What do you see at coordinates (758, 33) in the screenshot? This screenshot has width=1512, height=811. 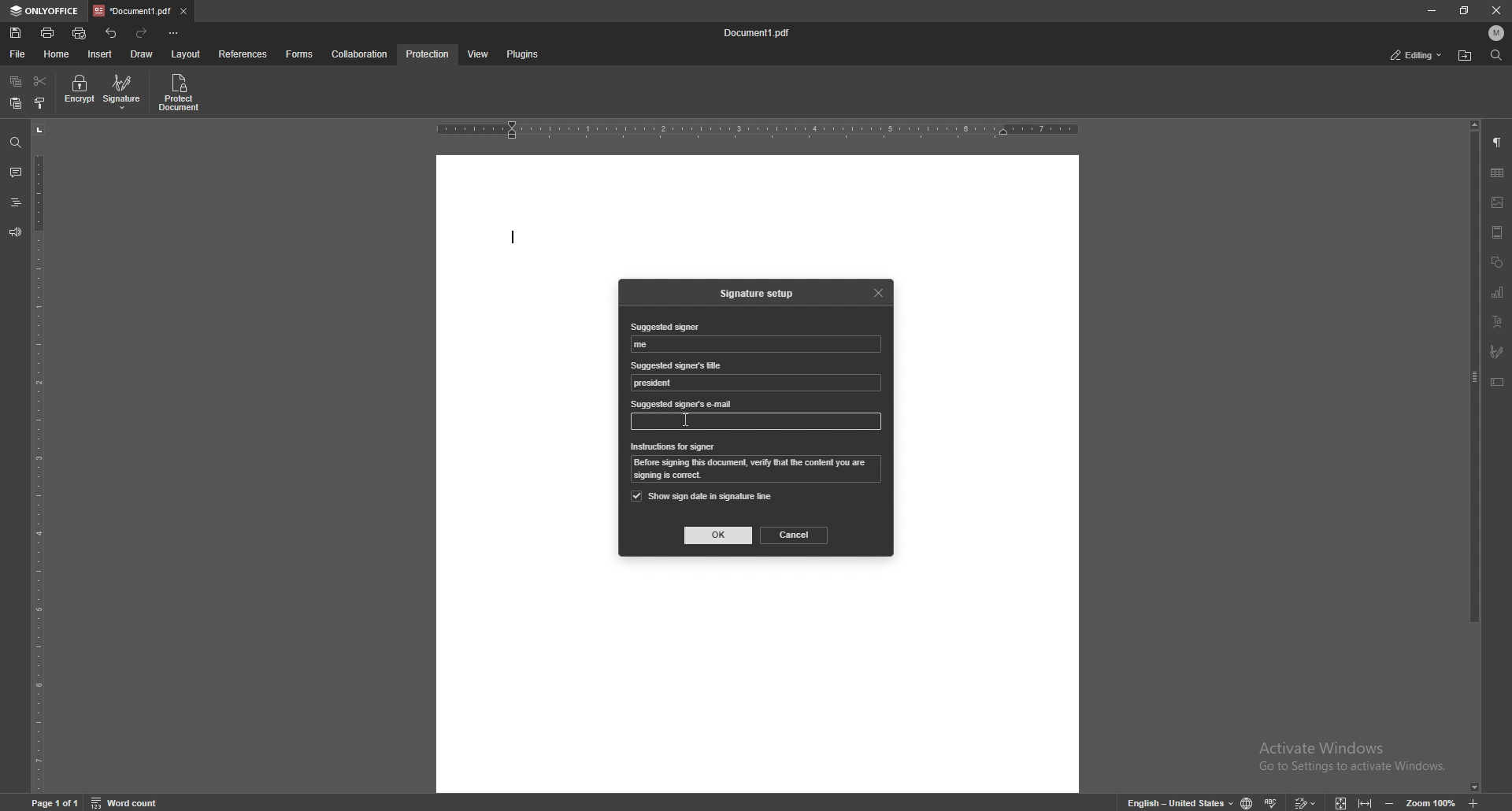 I see `file name` at bounding box center [758, 33].